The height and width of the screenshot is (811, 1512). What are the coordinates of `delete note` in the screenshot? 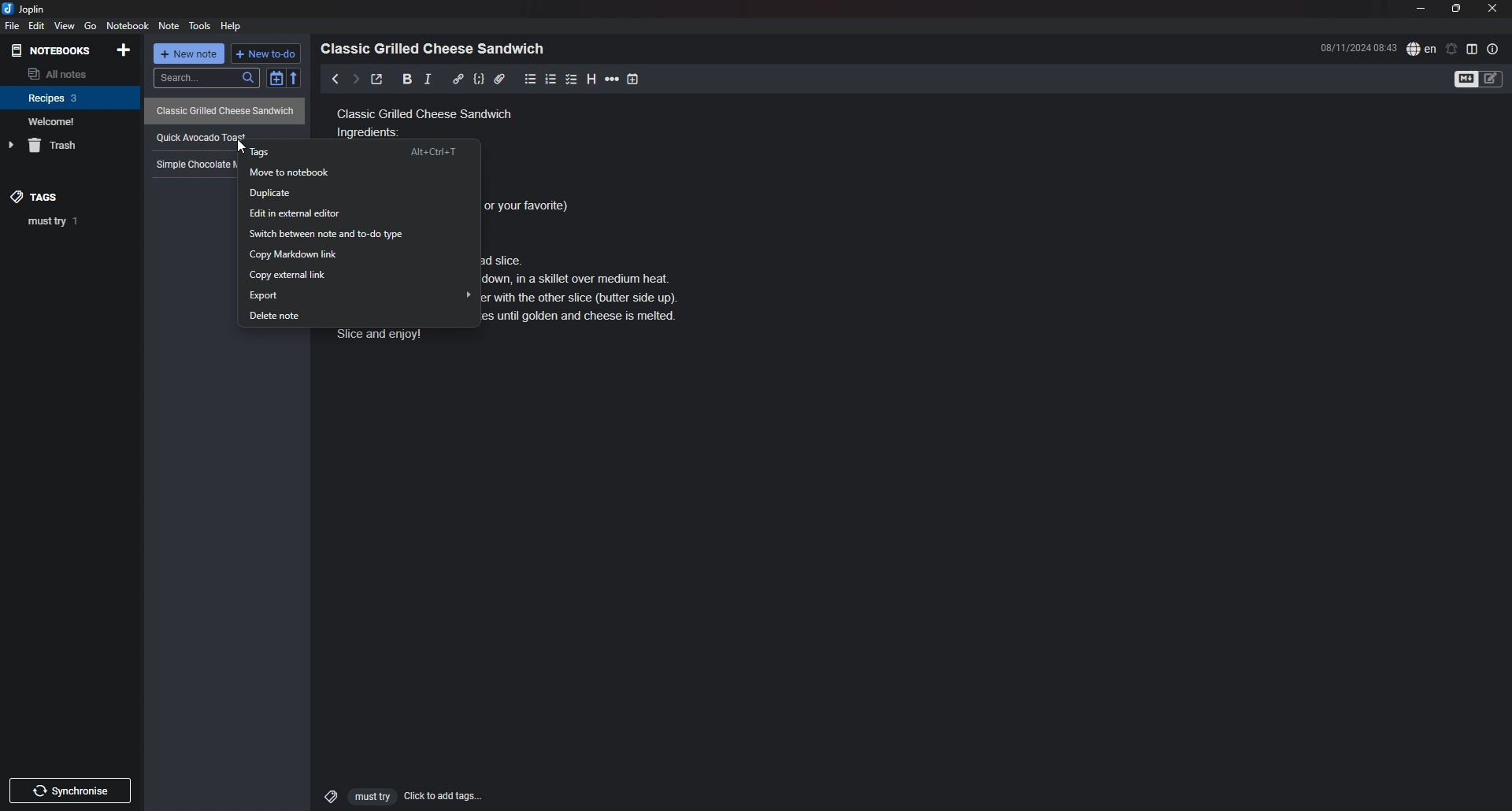 It's located at (359, 317).